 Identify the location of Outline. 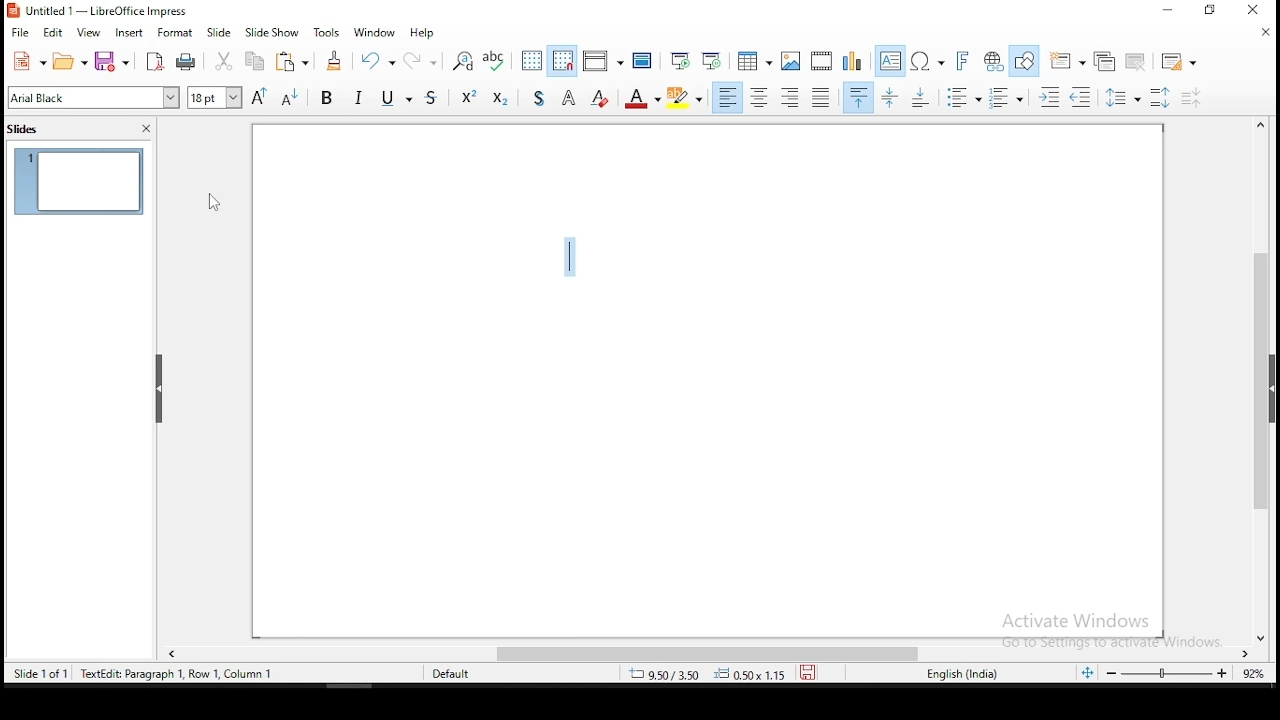
(570, 96).